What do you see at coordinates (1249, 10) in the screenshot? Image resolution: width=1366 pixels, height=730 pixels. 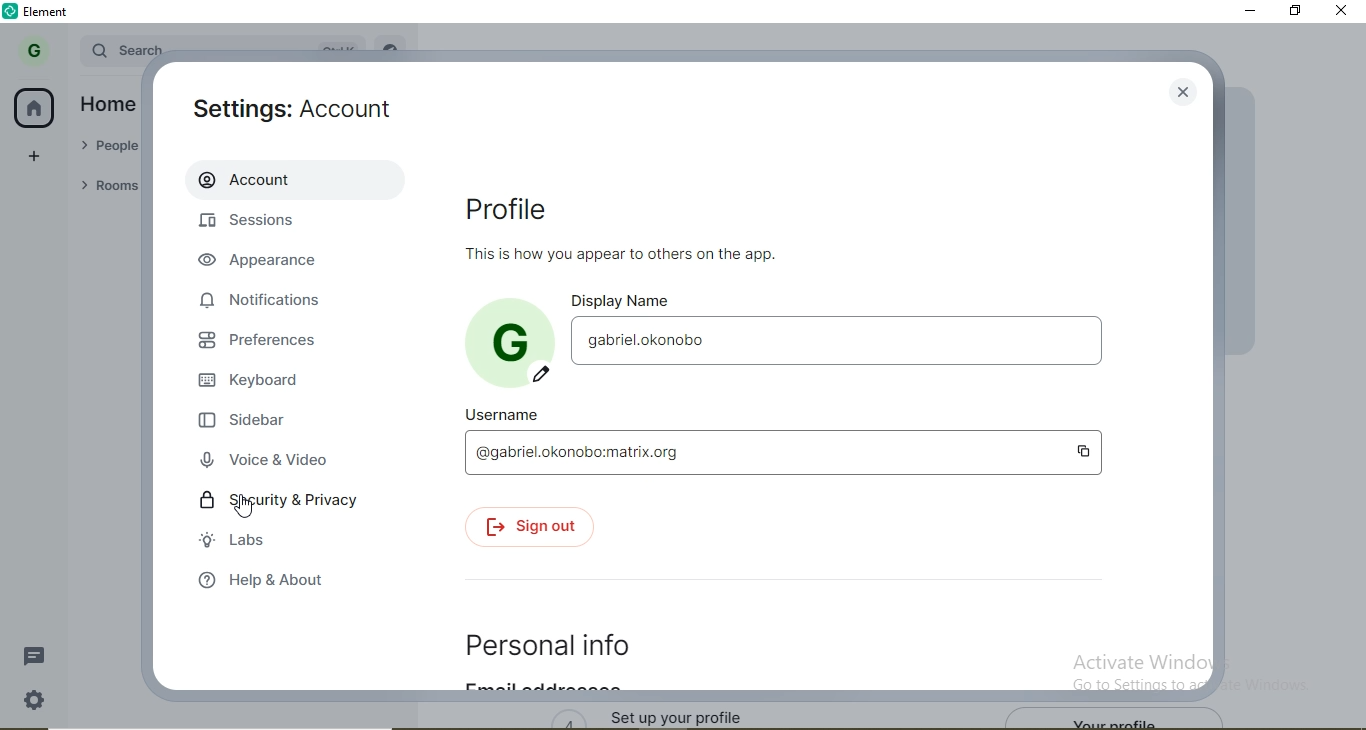 I see `minimise` at bounding box center [1249, 10].